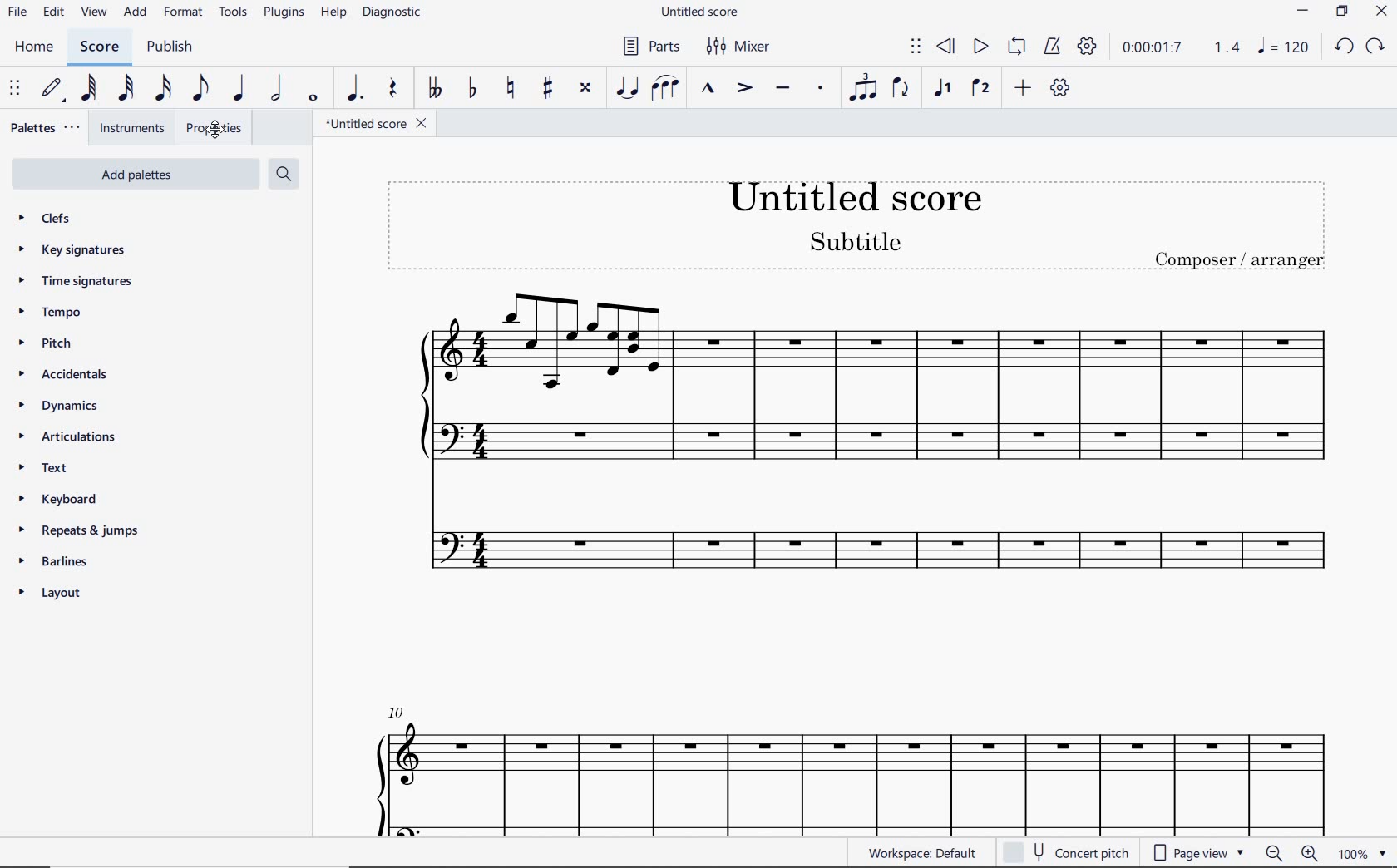  Describe the element at coordinates (1059, 88) in the screenshot. I see `CUSTOMIZE TOOLBAR` at that location.